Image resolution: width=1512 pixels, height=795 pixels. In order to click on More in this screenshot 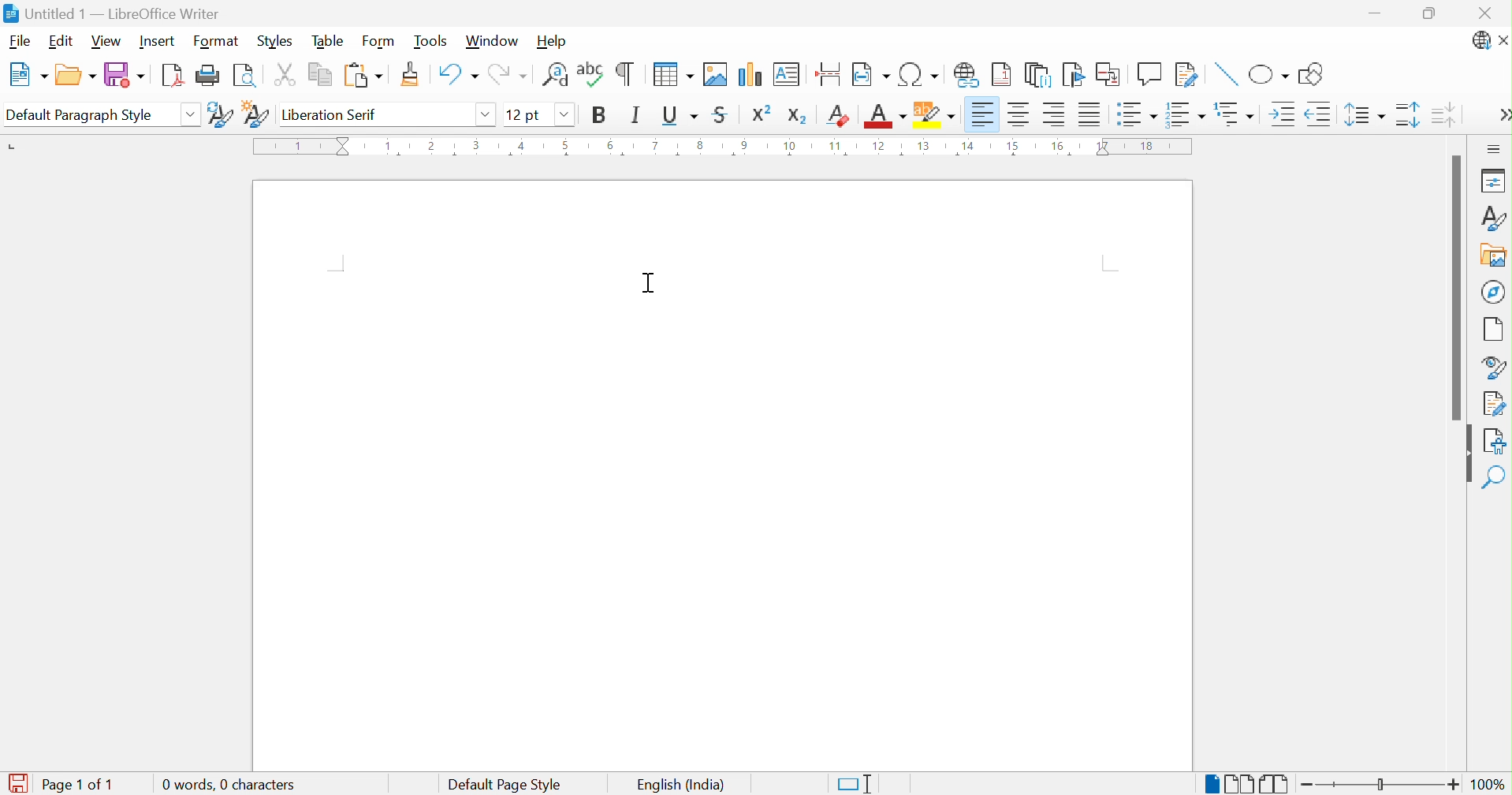, I will do `click(1503, 114)`.